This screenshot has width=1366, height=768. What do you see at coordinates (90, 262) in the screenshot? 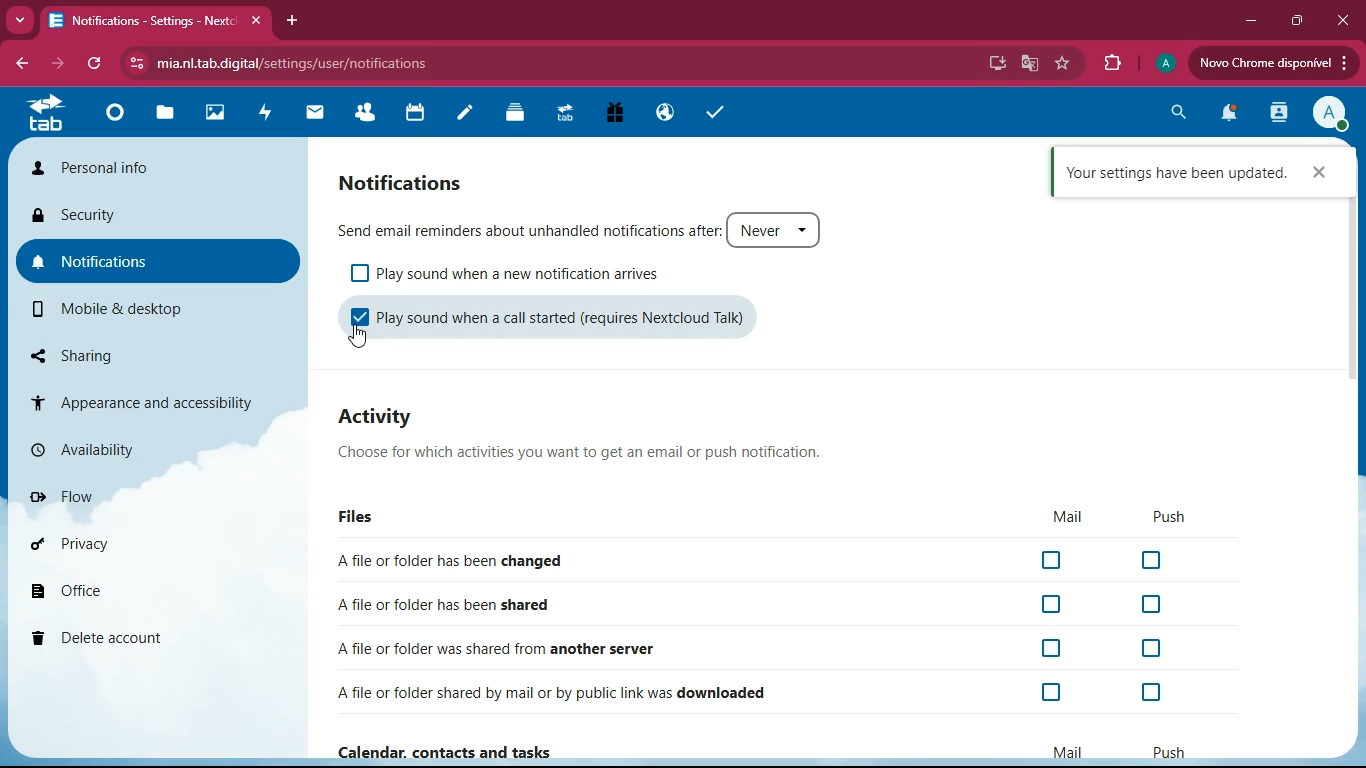
I see `notifications` at bounding box center [90, 262].